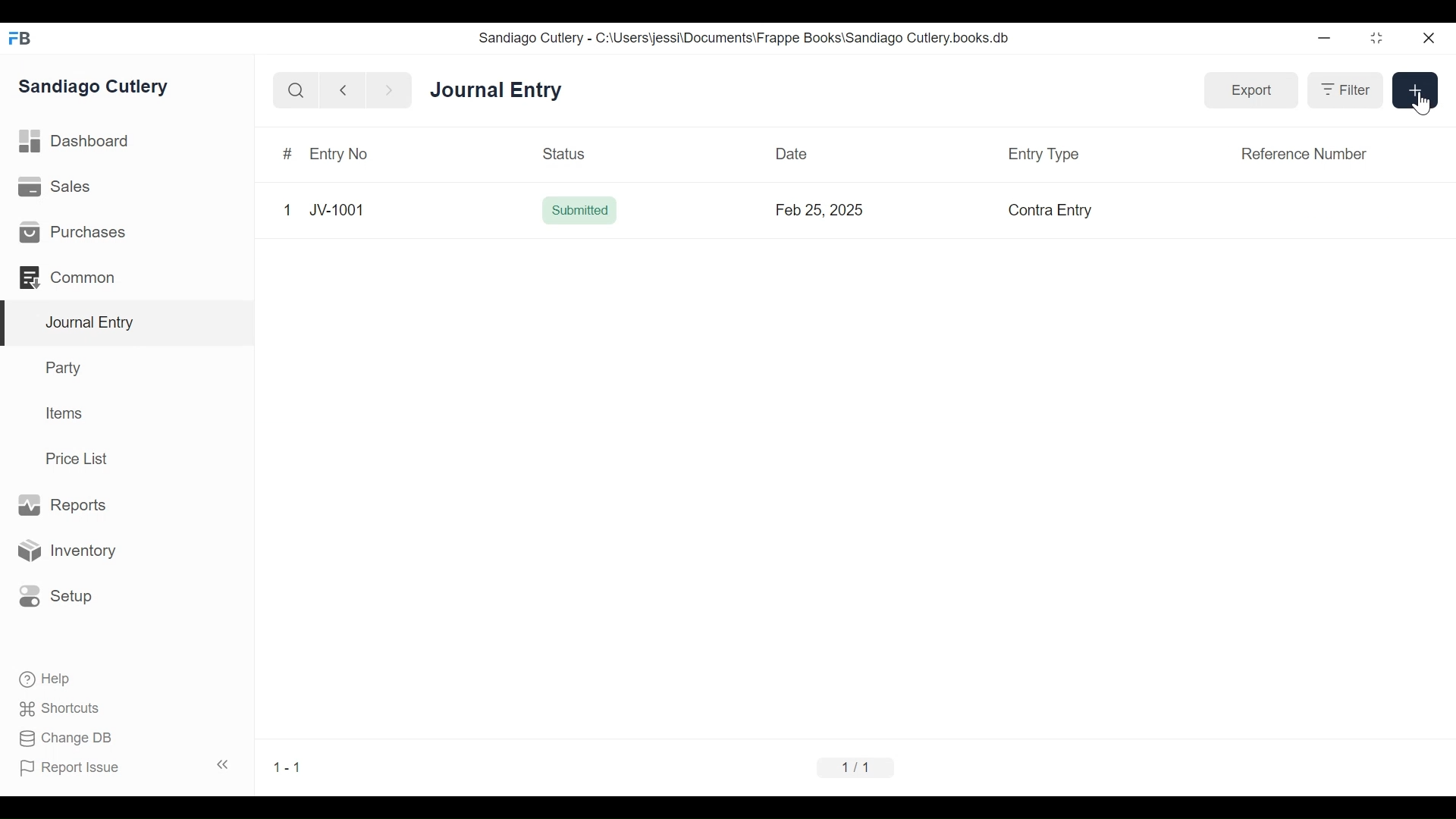  I want to click on Minimize, so click(1326, 39).